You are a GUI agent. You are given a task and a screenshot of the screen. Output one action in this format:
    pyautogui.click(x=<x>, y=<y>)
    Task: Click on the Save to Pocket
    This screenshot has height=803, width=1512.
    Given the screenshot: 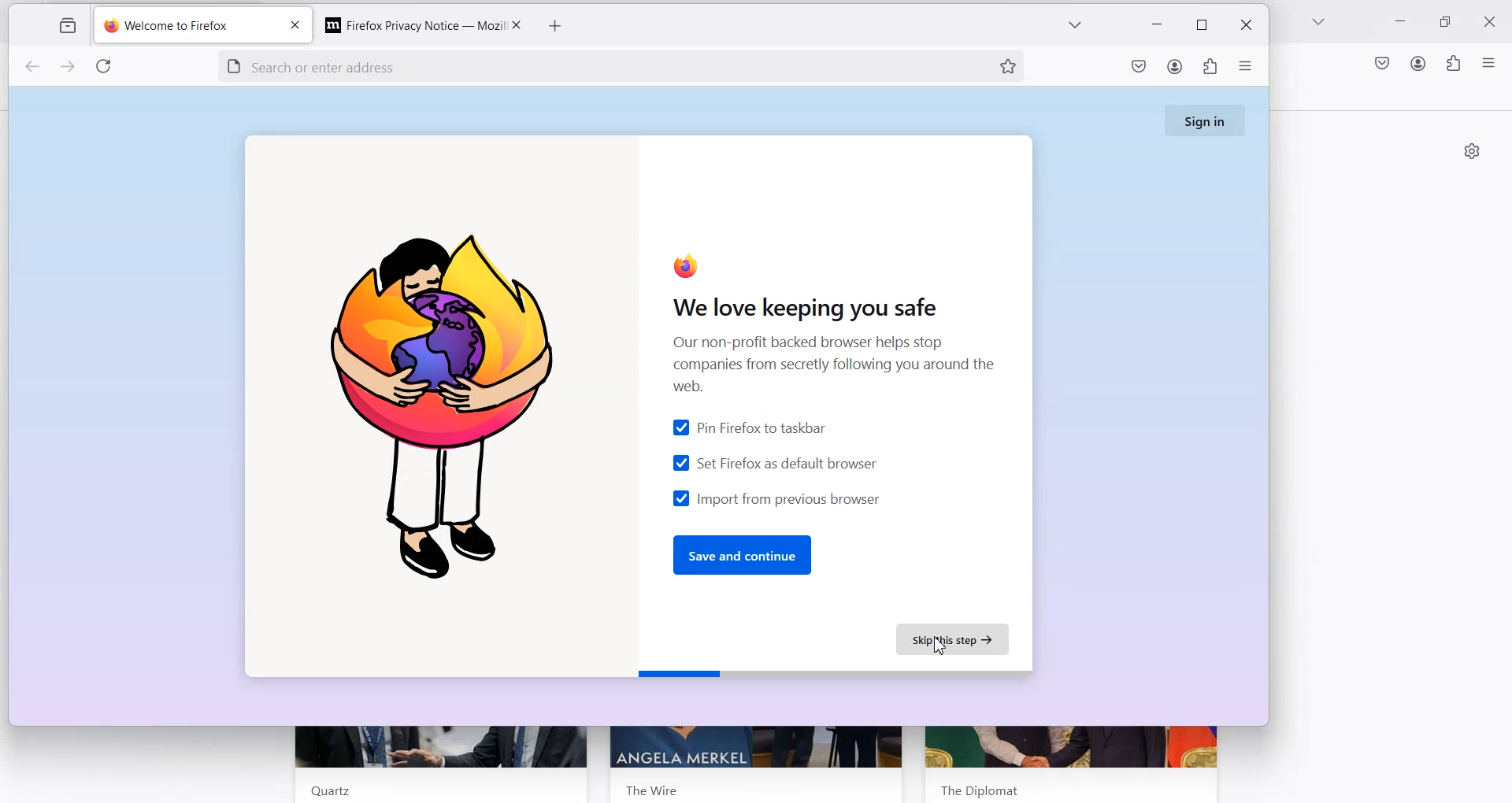 What is the action you would take?
    pyautogui.click(x=1380, y=63)
    